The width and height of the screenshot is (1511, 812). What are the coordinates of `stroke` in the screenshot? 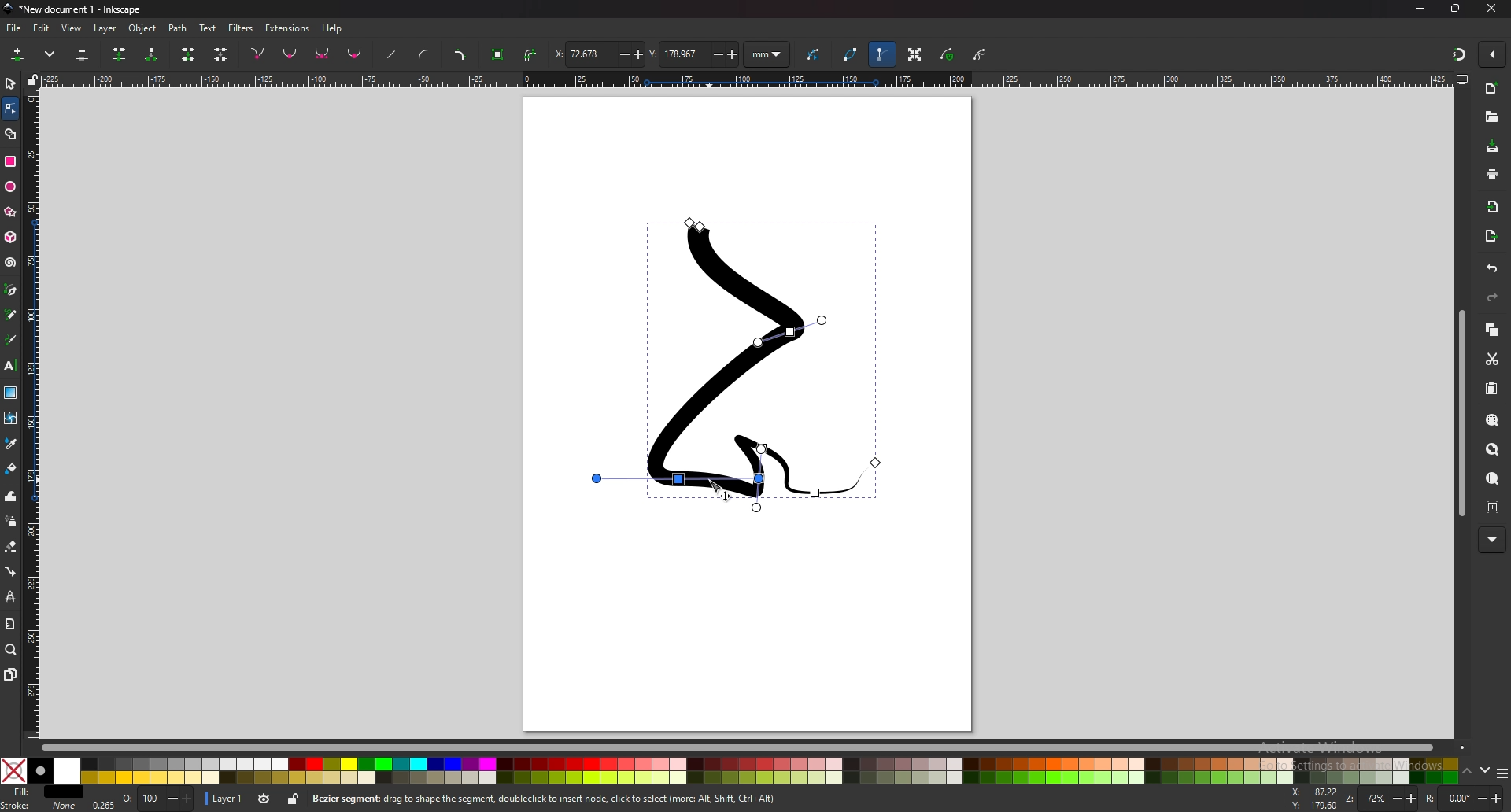 It's located at (39, 806).